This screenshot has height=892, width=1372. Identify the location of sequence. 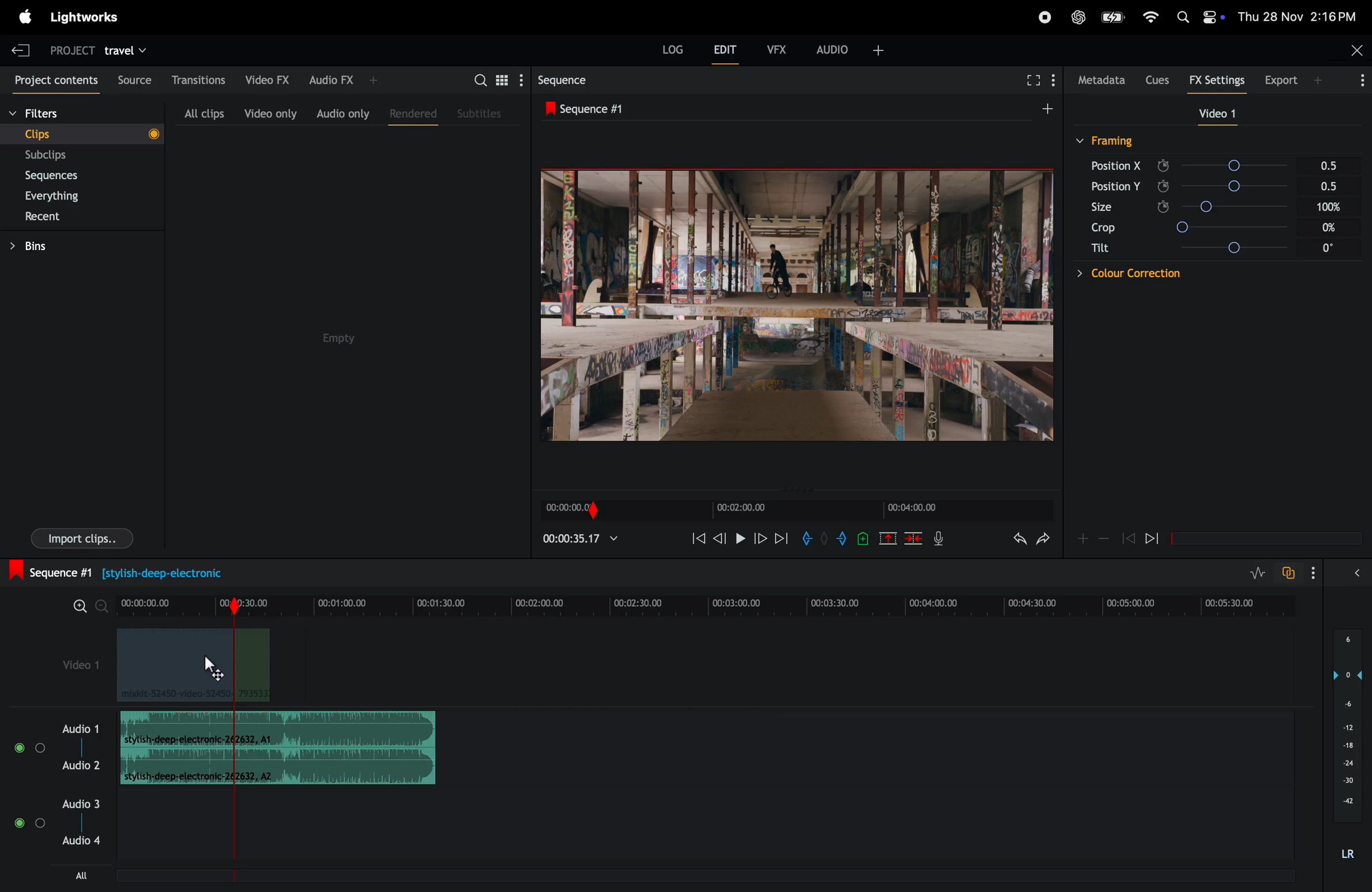
(593, 108).